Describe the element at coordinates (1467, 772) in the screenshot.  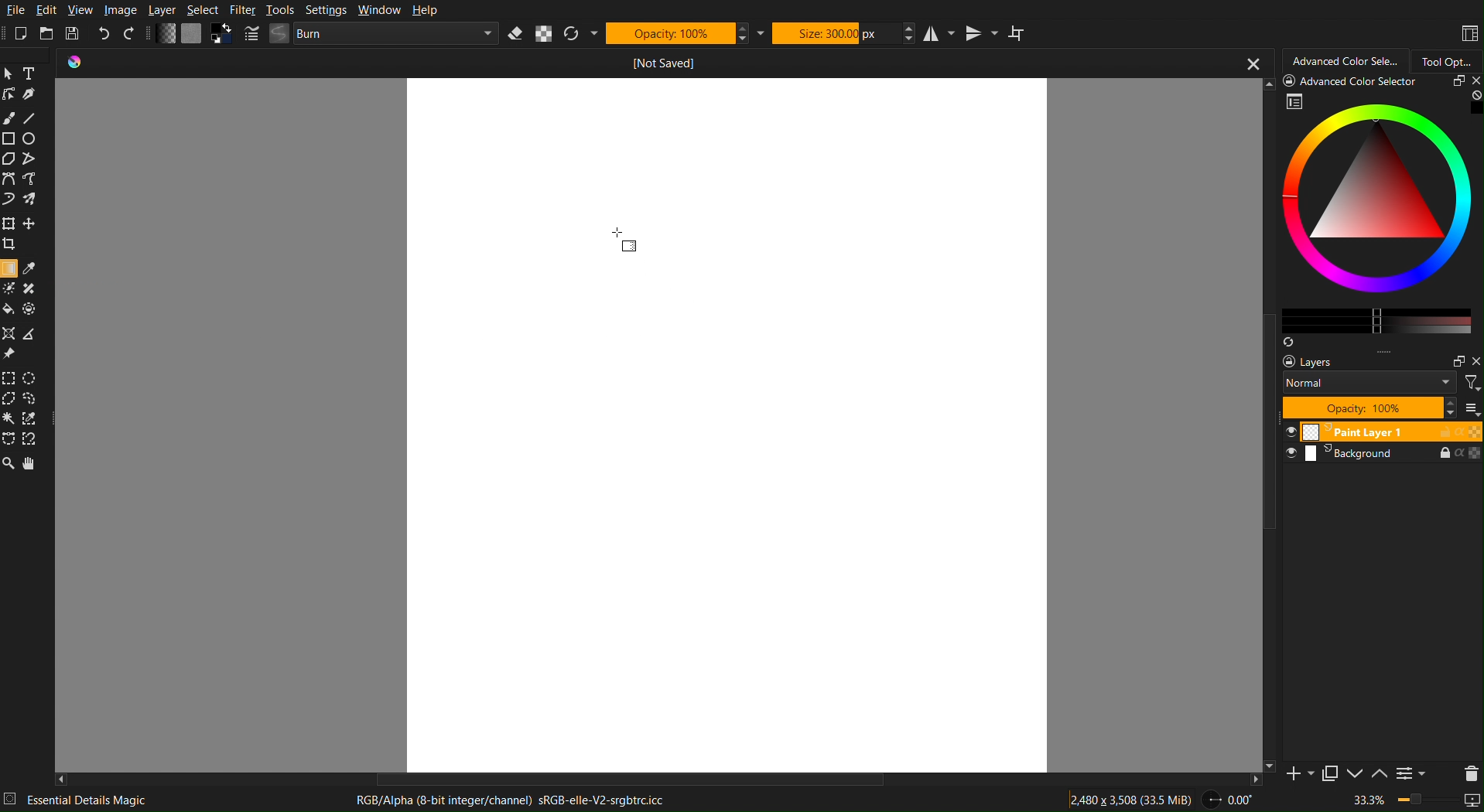
I see `Delete` at that location.